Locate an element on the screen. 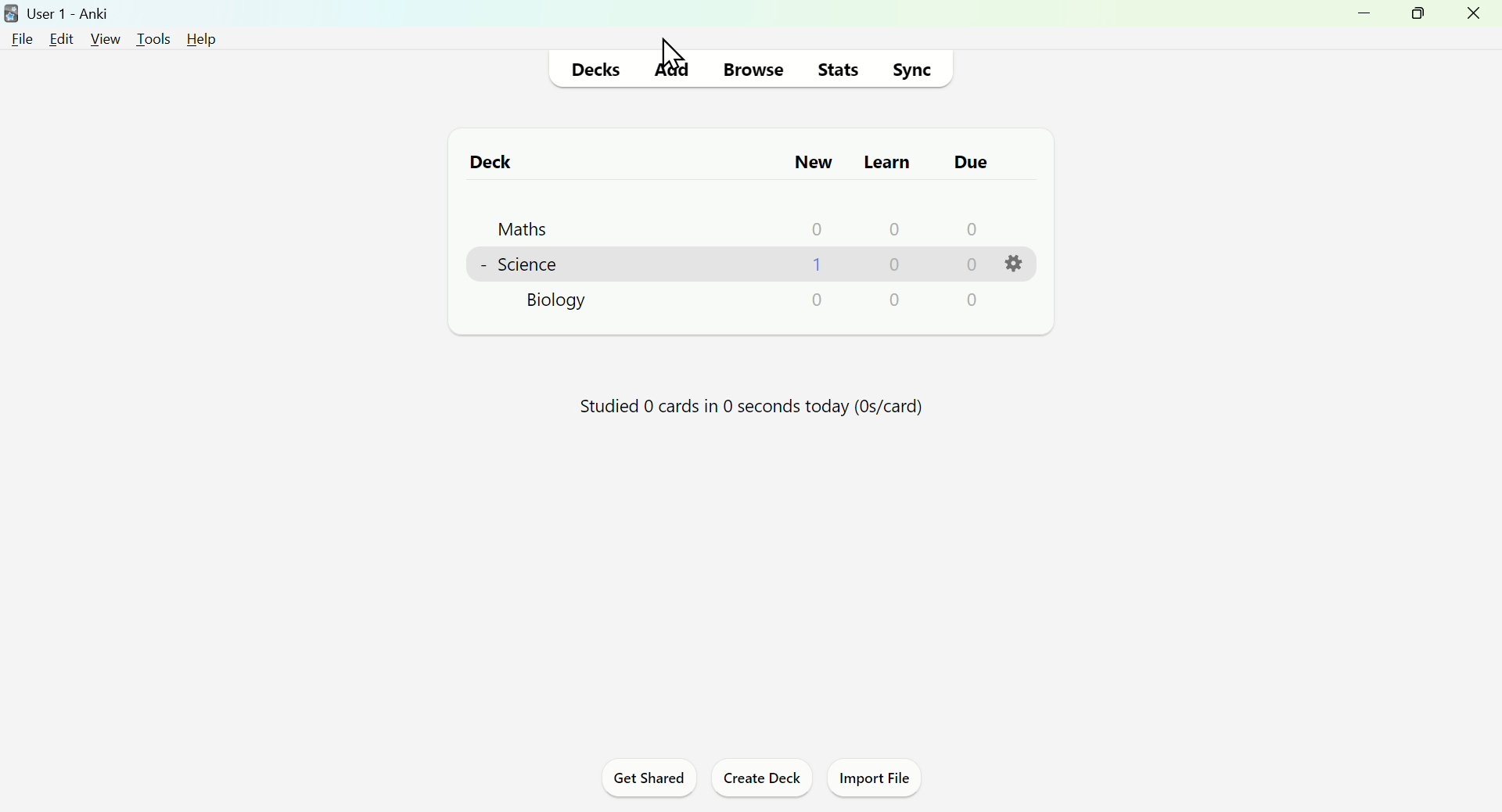 Image resolution: width=1502 pixels, height=812 pixels. 0 is located at coordinates (967, 229).